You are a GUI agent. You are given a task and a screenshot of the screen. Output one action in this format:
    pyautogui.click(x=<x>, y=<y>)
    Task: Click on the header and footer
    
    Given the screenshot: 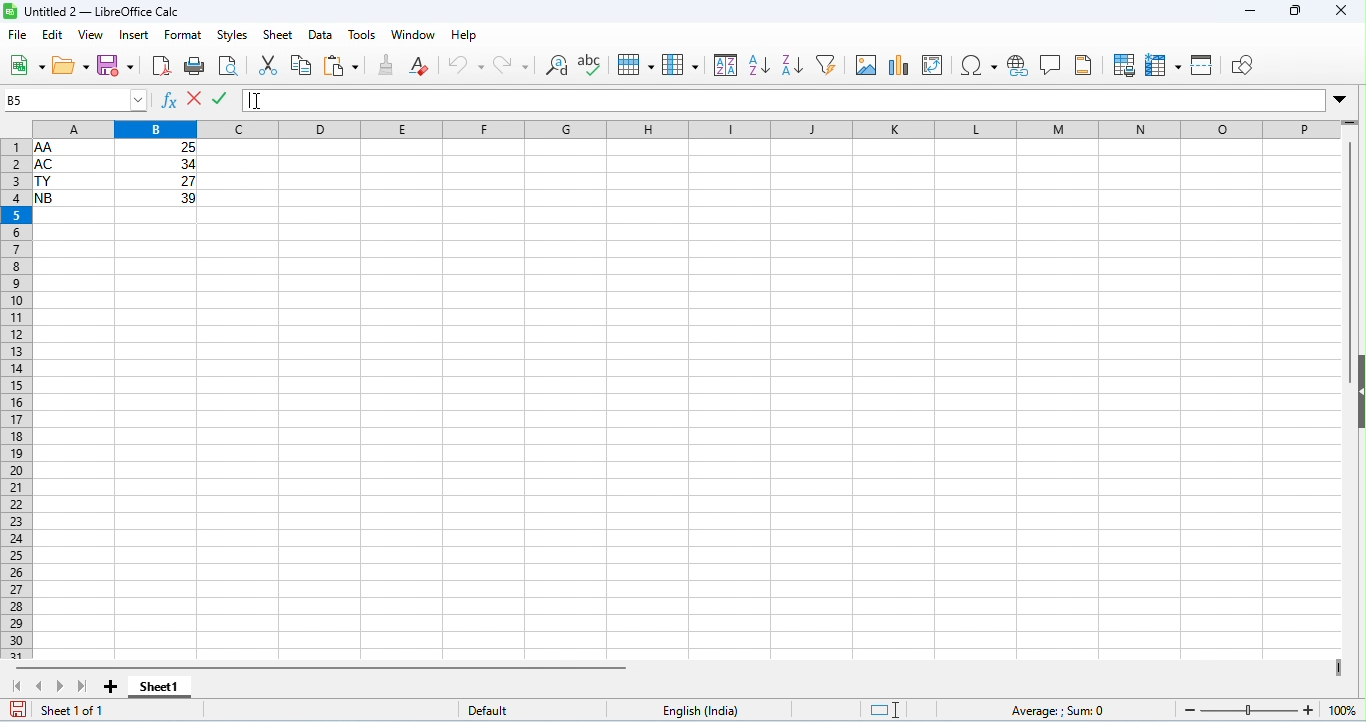 What is the action you would take?
    pyautogui.click(x=1086, y=65)
    